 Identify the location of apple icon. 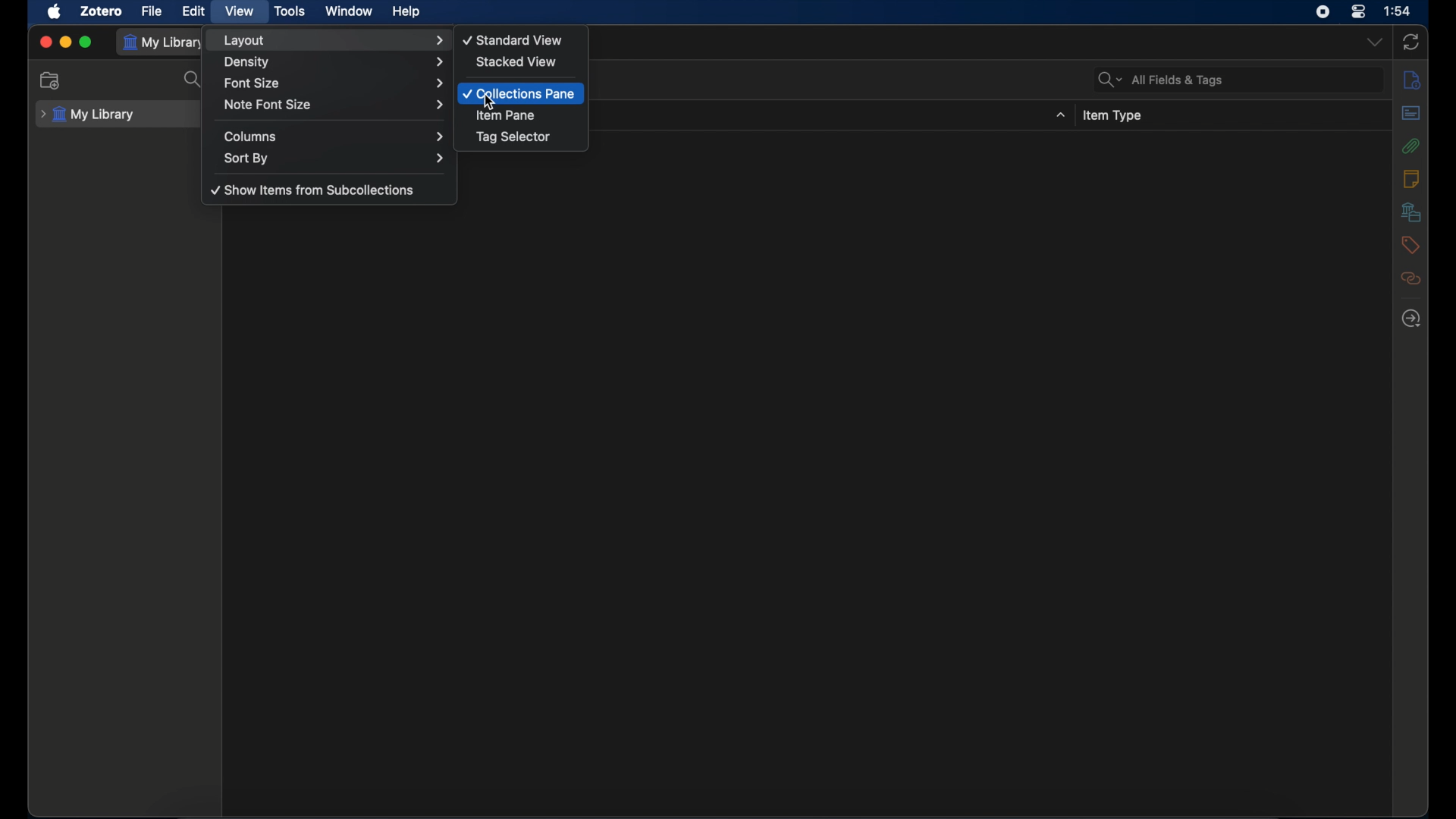
(55, 11).